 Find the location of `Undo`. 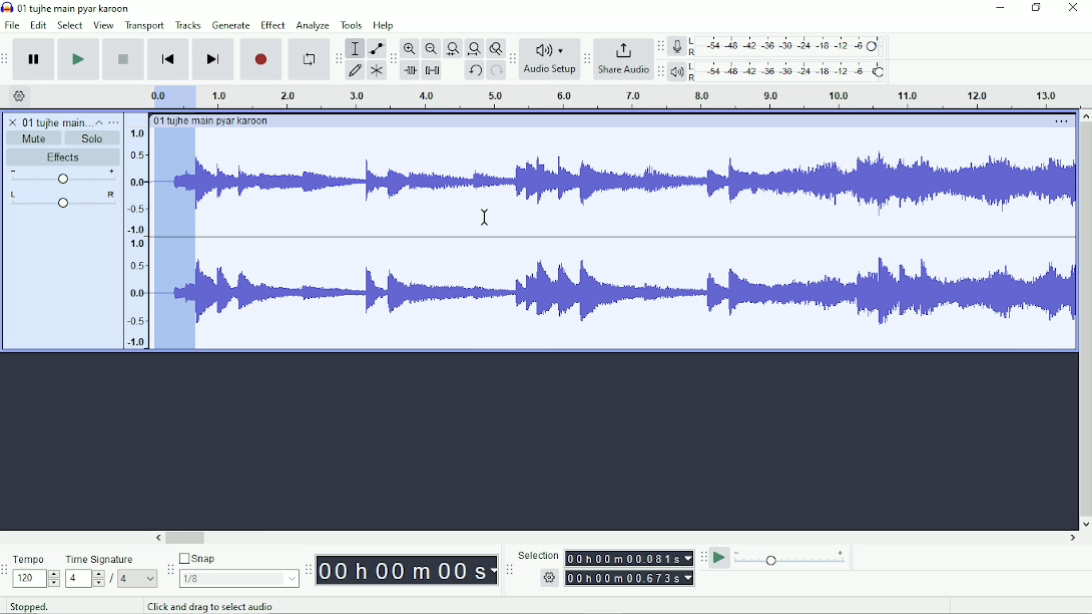

Undo is located at coordinates (475, 72).